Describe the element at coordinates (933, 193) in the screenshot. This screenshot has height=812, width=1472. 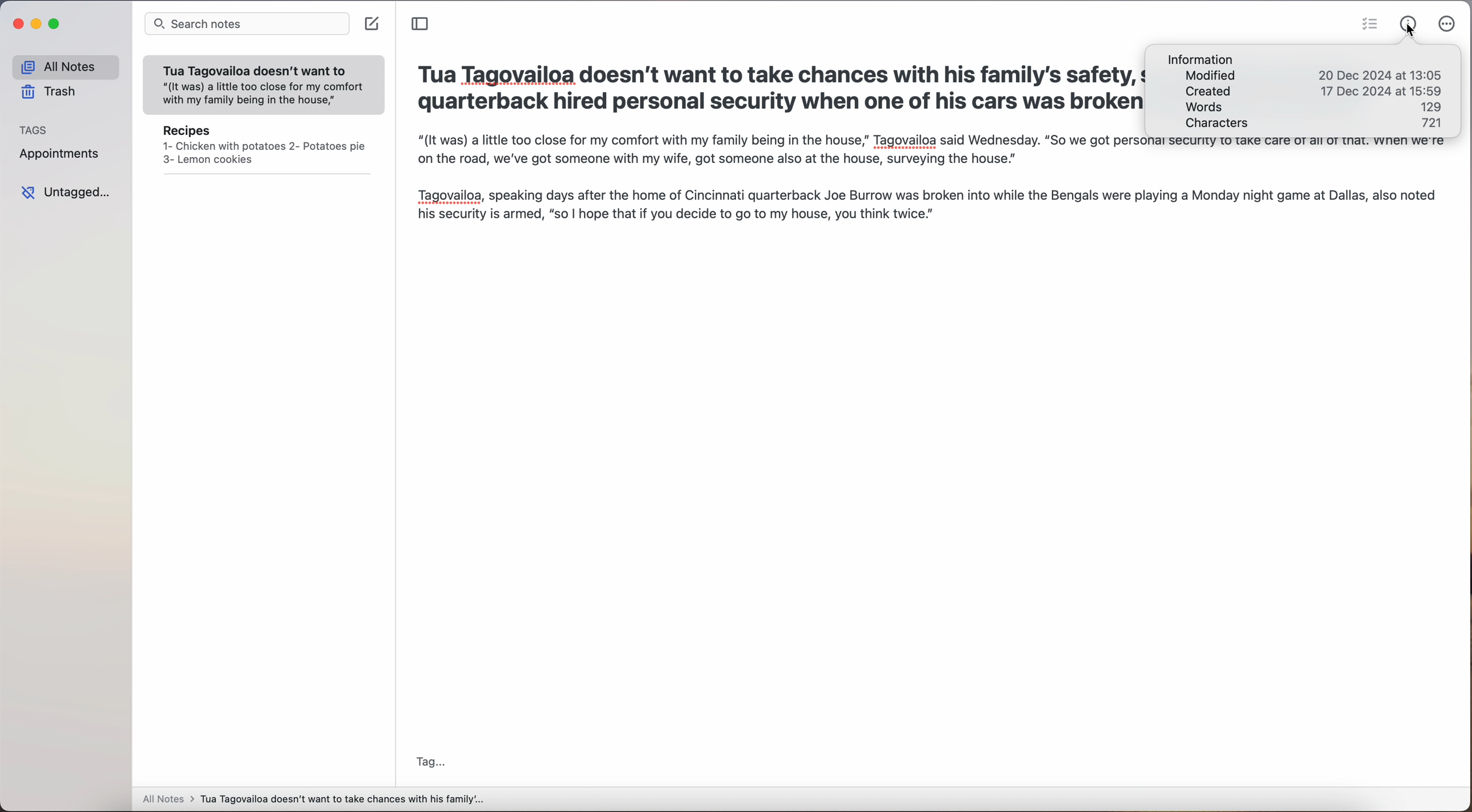
I see `“(It was) a little too close for my comfort with my family being in the house," Tagovailoa said Wednesday. “So we got personal security to take care of all of that. When we're
on the road, we've got someone with my wife, got someone also at the house, surveying the house."

Tagovailoa, speaking days after the home of Cincinnati quarterback Joe Burrow was broken into while the Bengals were playing a Monday night game at Dallas, also noted
his security is armed, “so | hope that if you decide to go to my house, you think twice."` at that location.